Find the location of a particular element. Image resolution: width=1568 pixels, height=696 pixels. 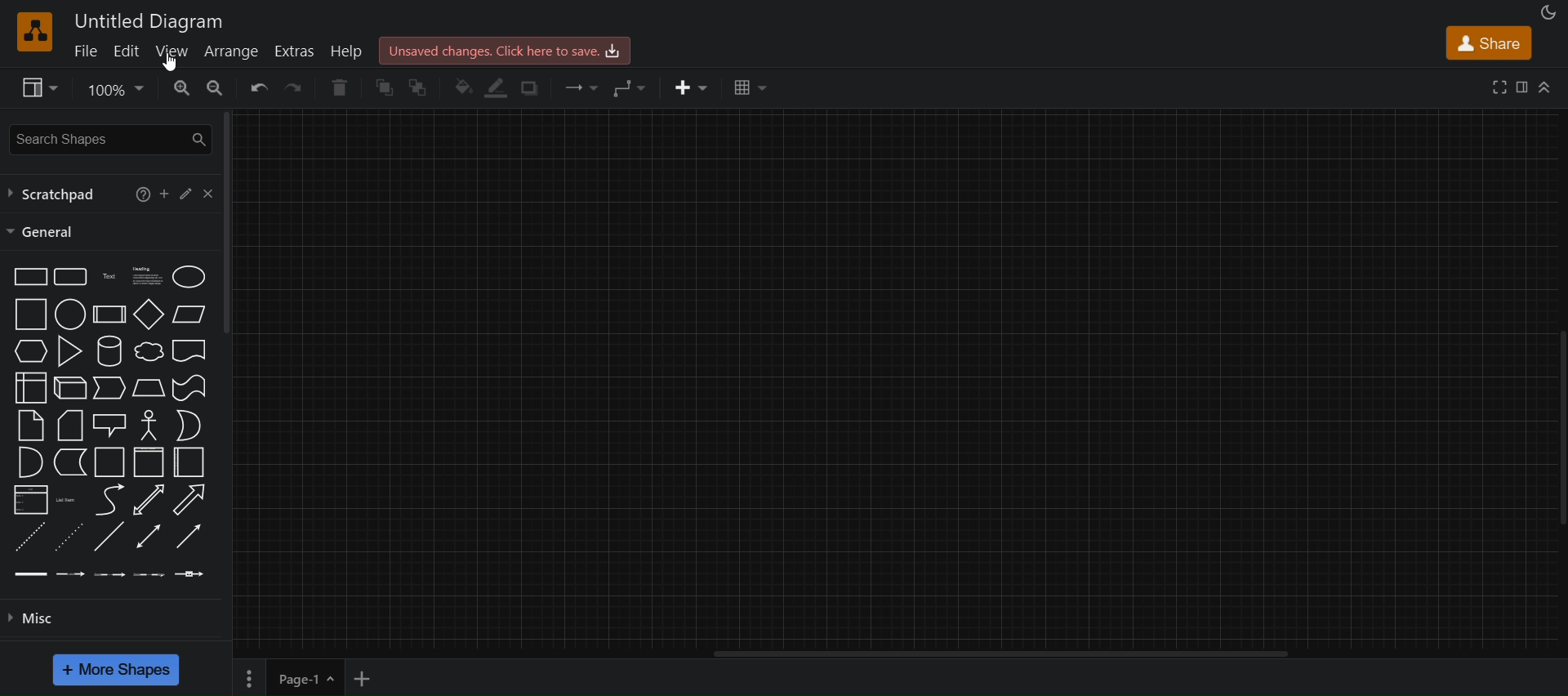

table is located at coordinates (748, 87).